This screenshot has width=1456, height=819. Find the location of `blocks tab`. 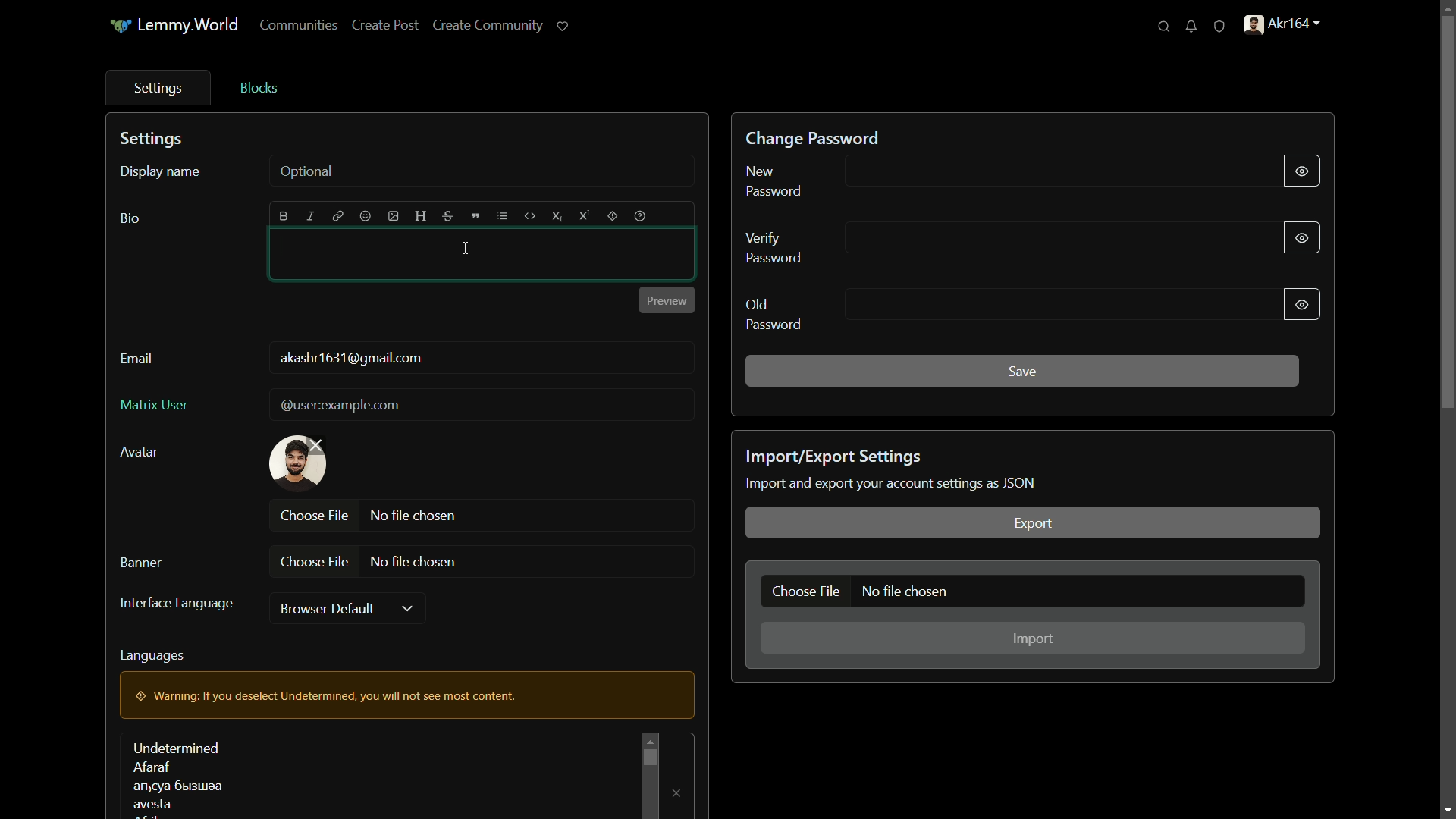

blocks tab is located at coordinates (259, 89).